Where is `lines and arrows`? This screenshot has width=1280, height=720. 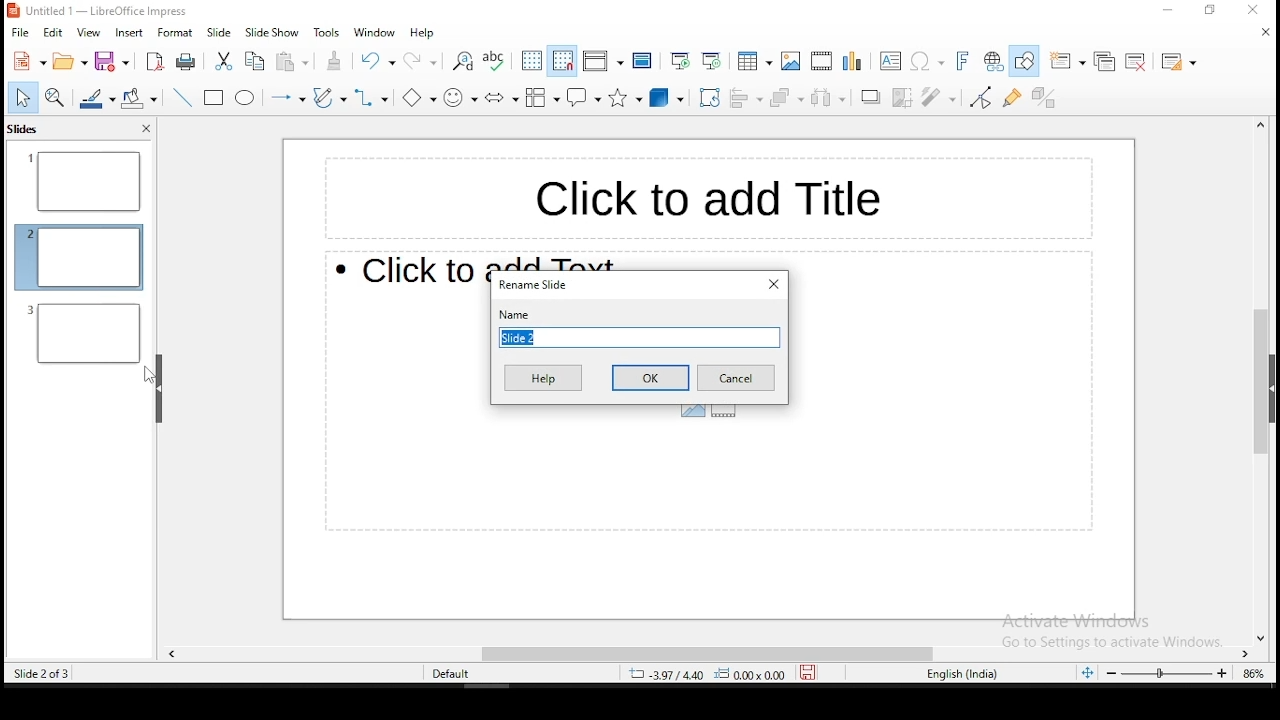
lines and arrows is located at coordinates (286, 96).